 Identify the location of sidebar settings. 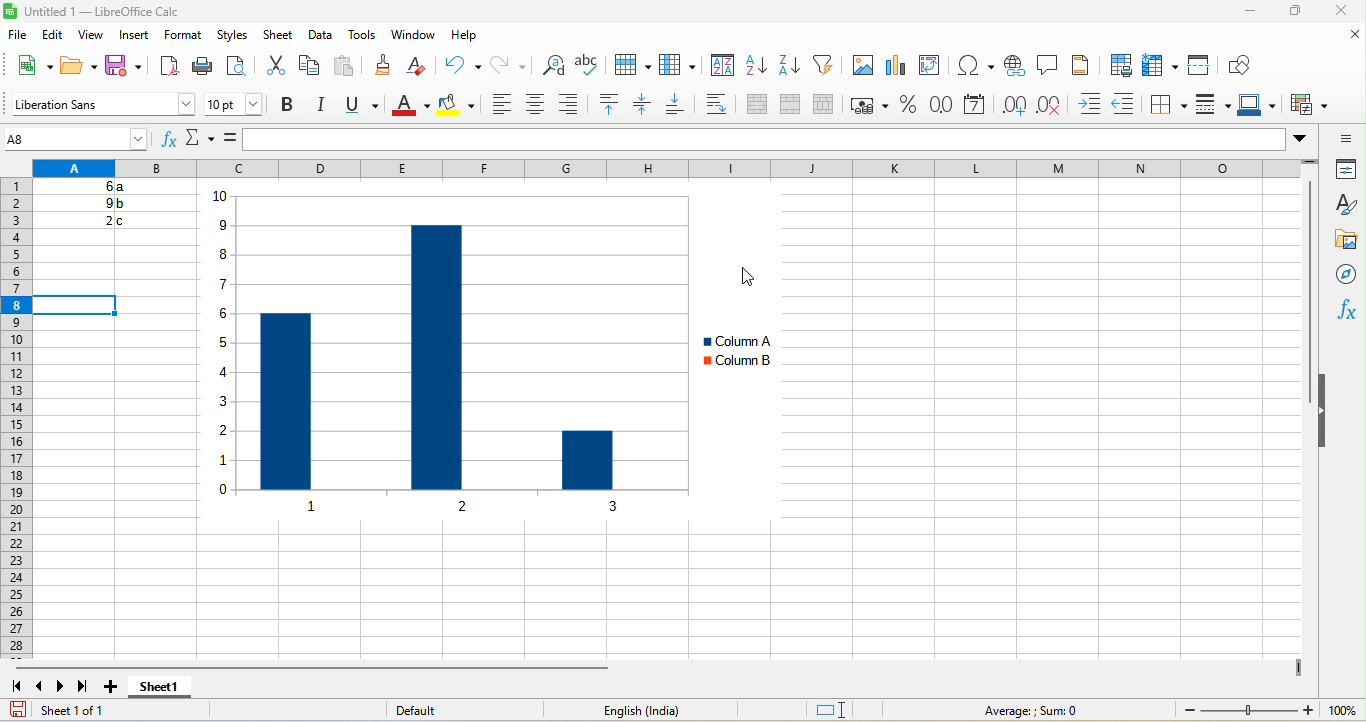
(1340, 138).